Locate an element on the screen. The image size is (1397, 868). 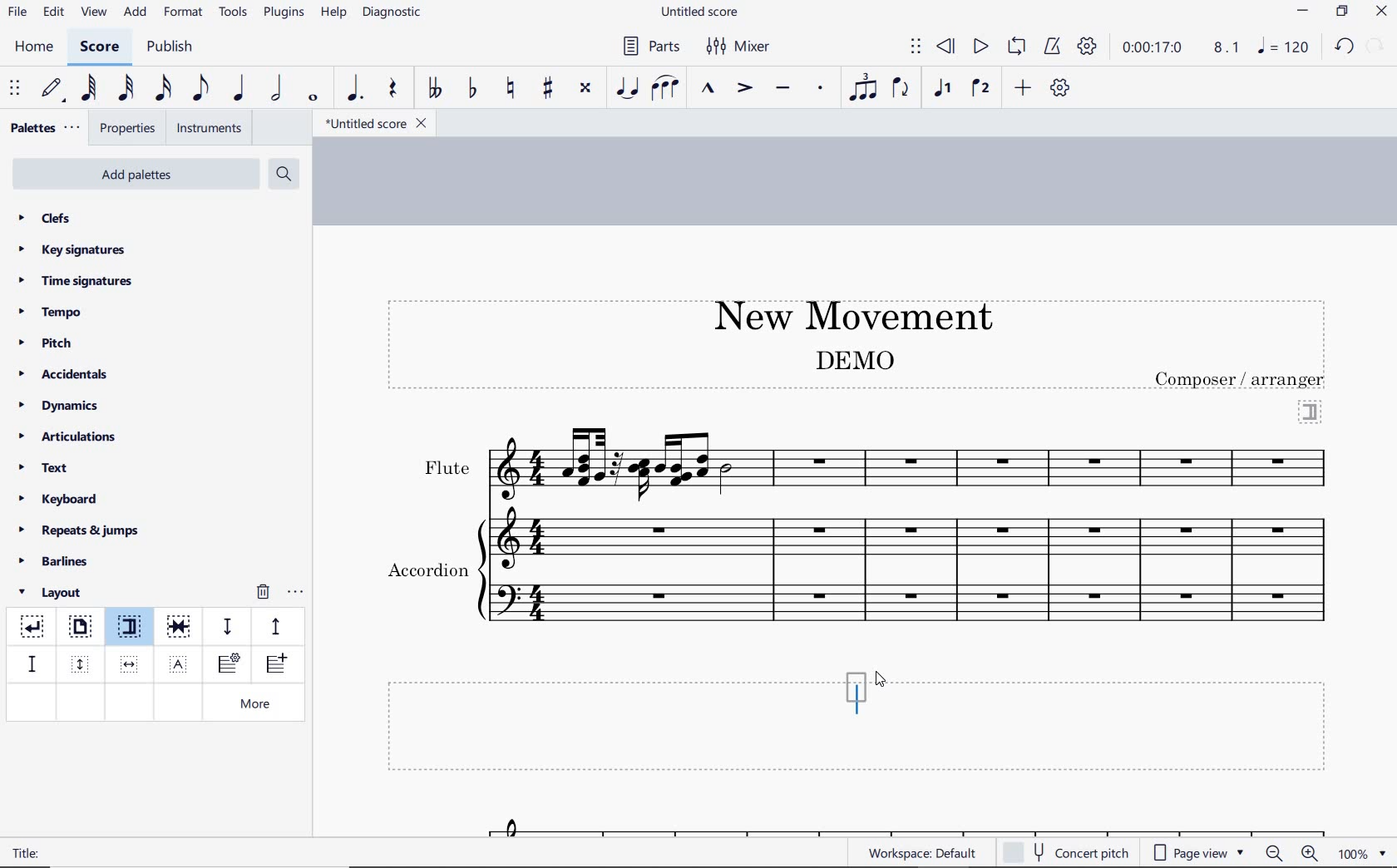
cursor is located at coordinates (883, 682).